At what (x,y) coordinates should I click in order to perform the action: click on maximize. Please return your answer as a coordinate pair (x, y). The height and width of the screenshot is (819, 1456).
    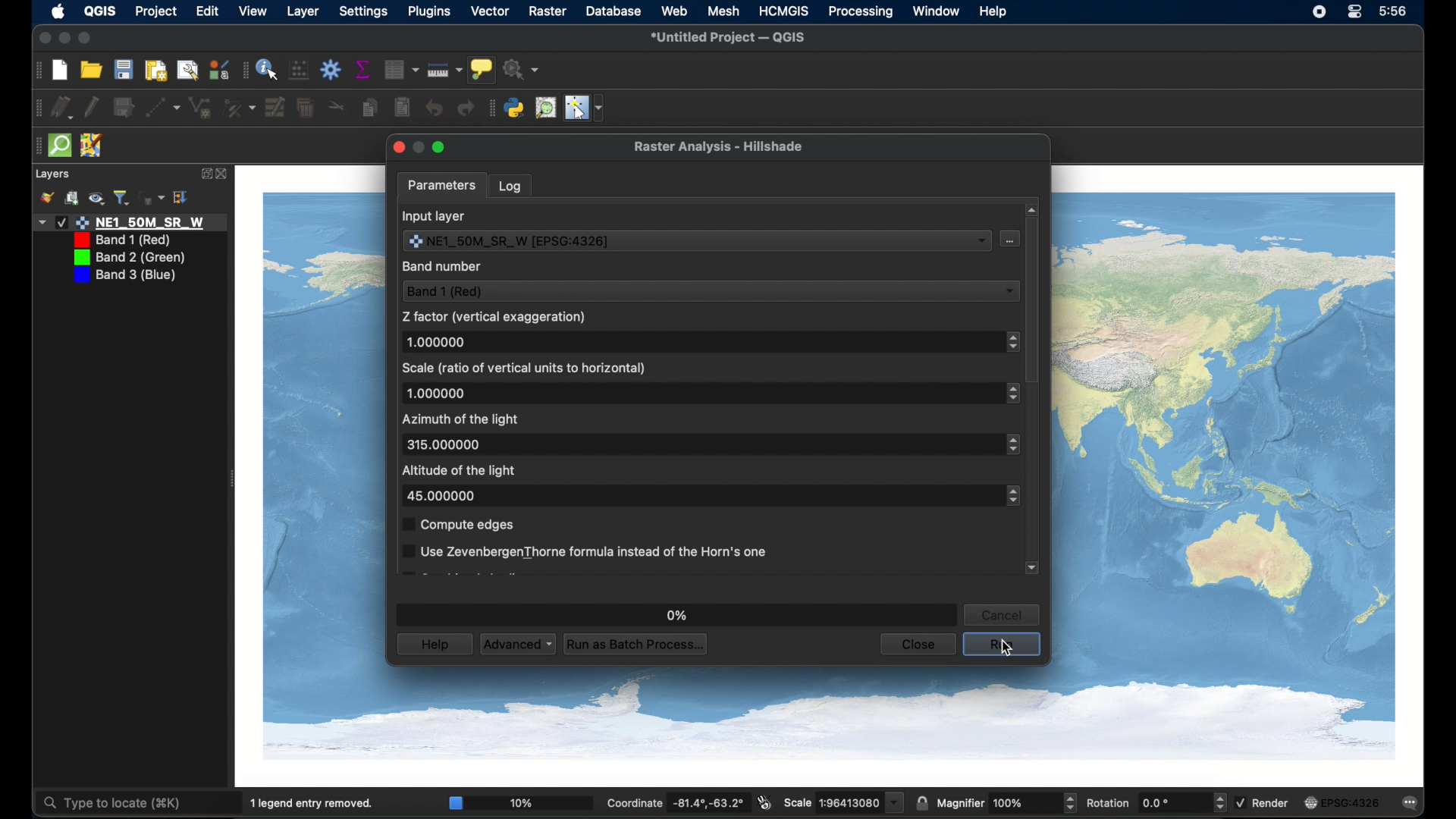
    Looking at the image, I should click on (86, 39).